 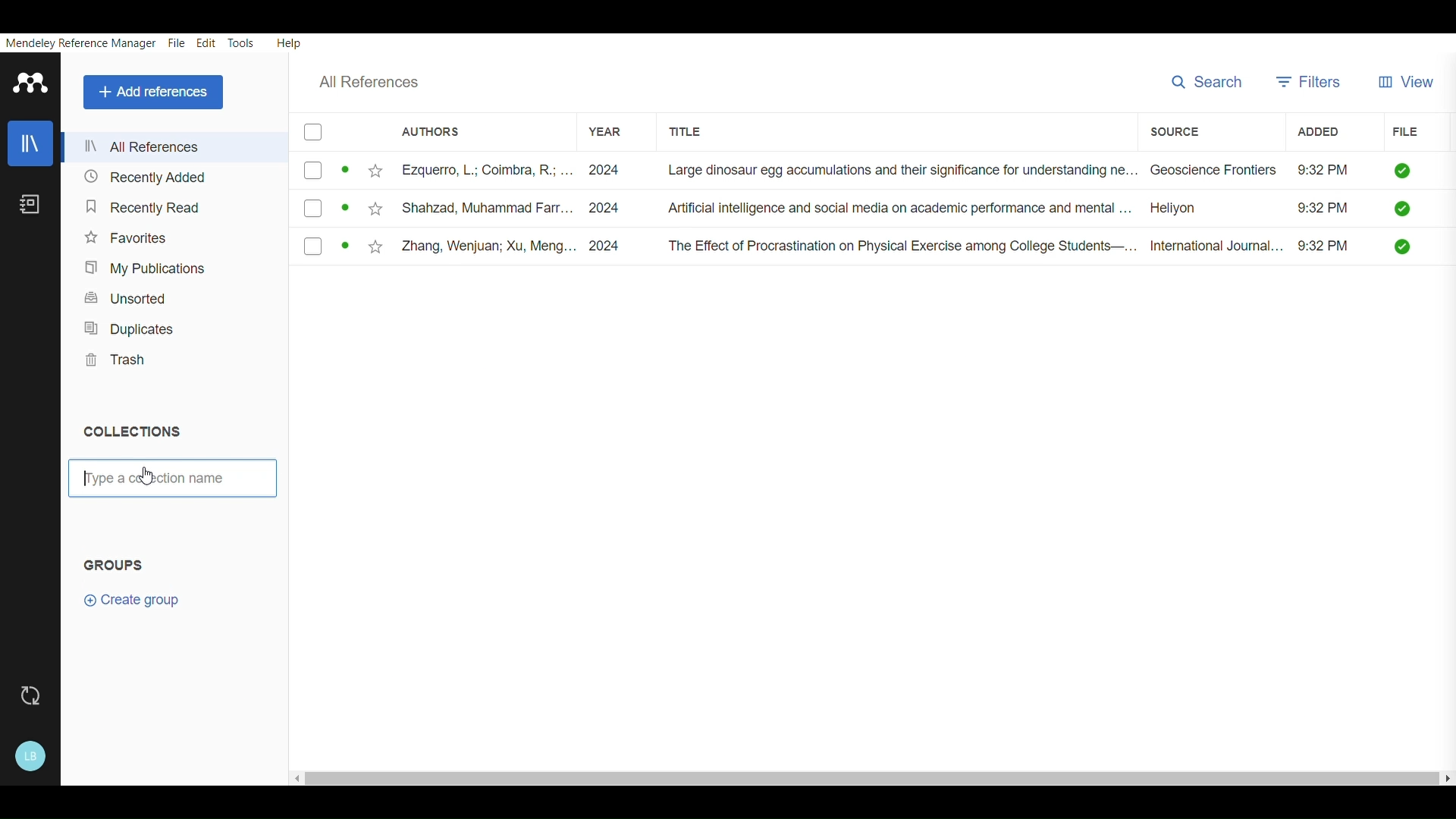 I want to click on checkbox, so click(x=322, y=209).